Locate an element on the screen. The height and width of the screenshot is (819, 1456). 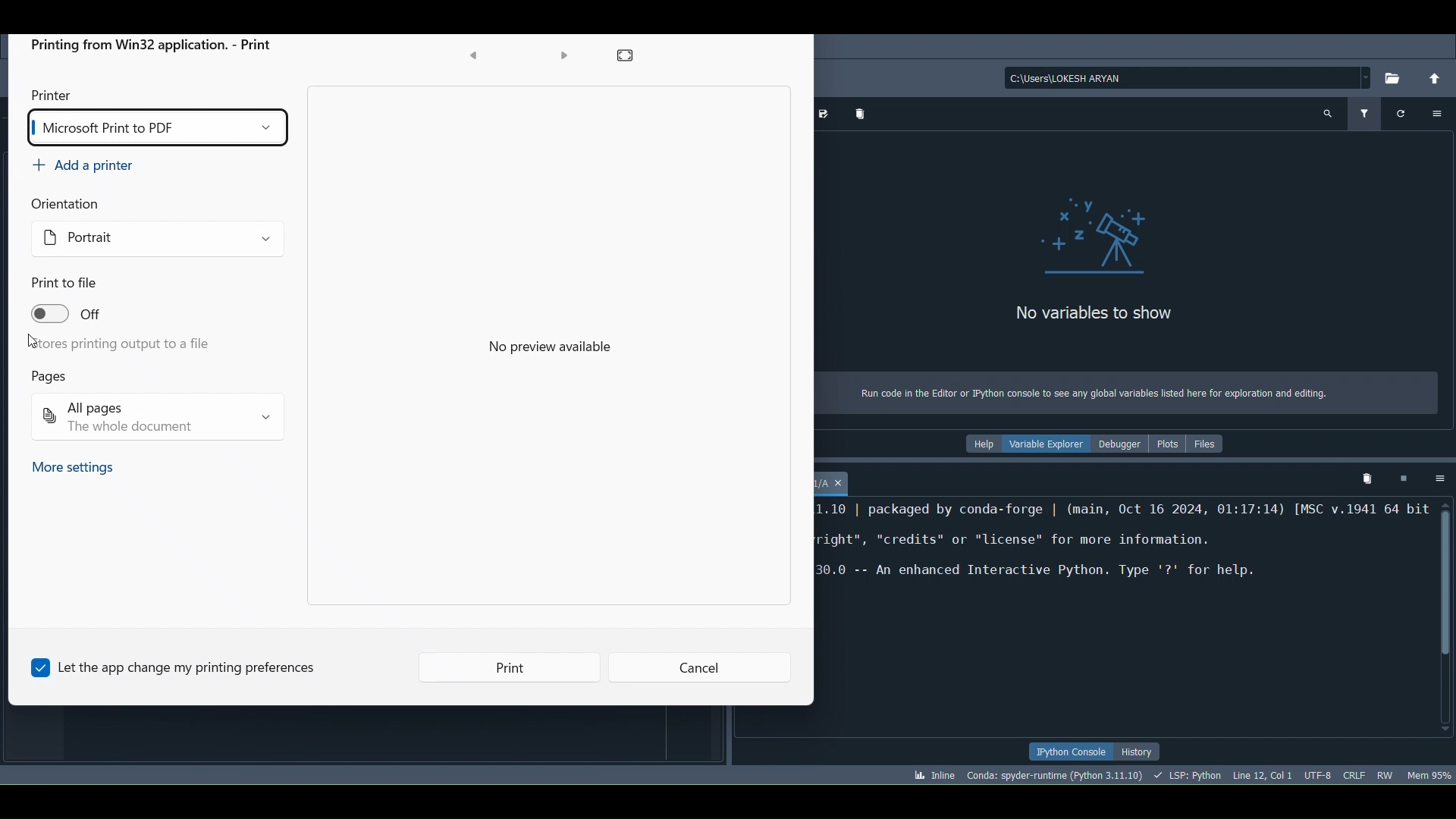
Print to file is located at coordinates (67, 285).